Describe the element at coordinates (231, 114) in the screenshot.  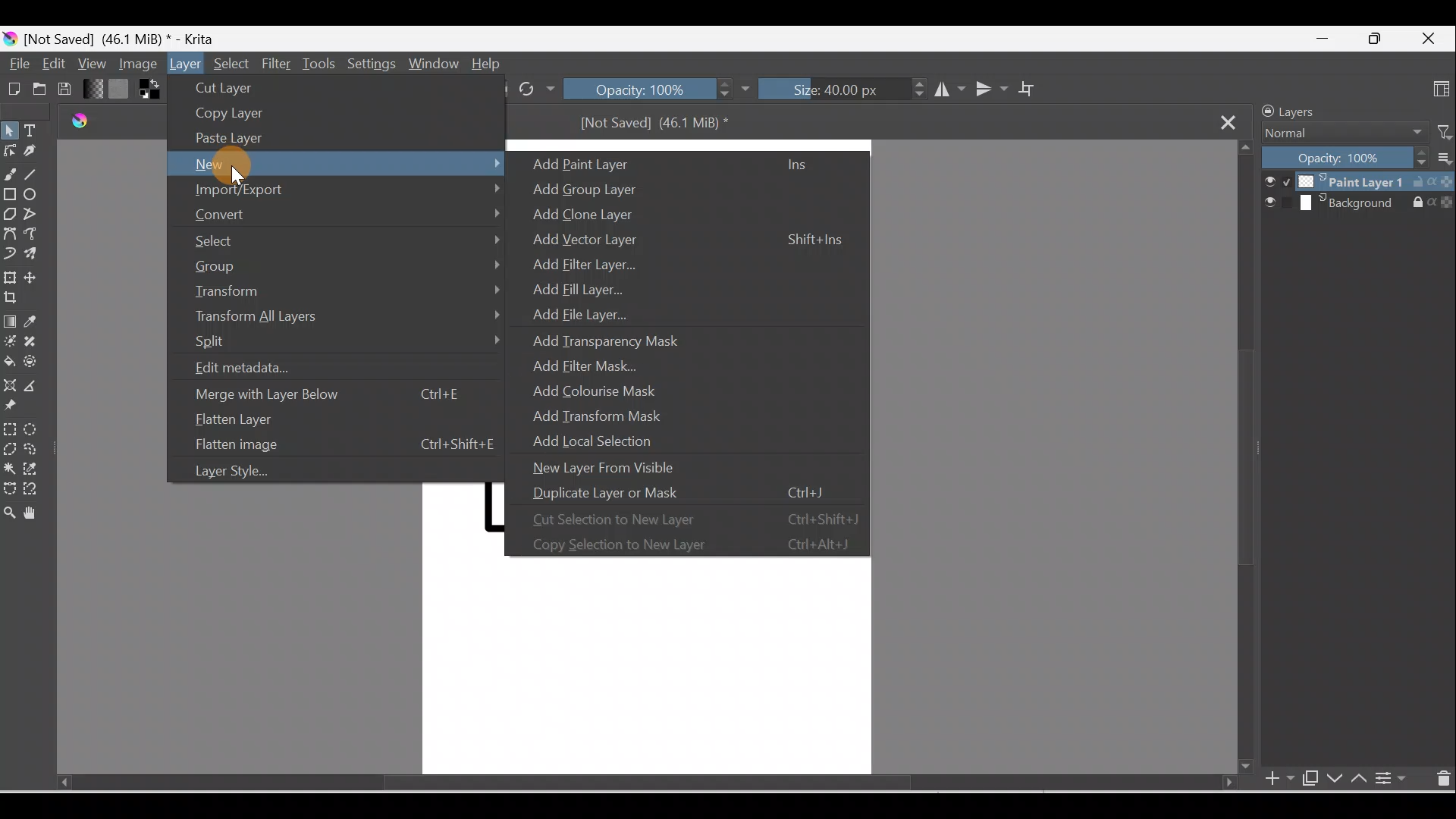
I see `Copy layer` at that location.